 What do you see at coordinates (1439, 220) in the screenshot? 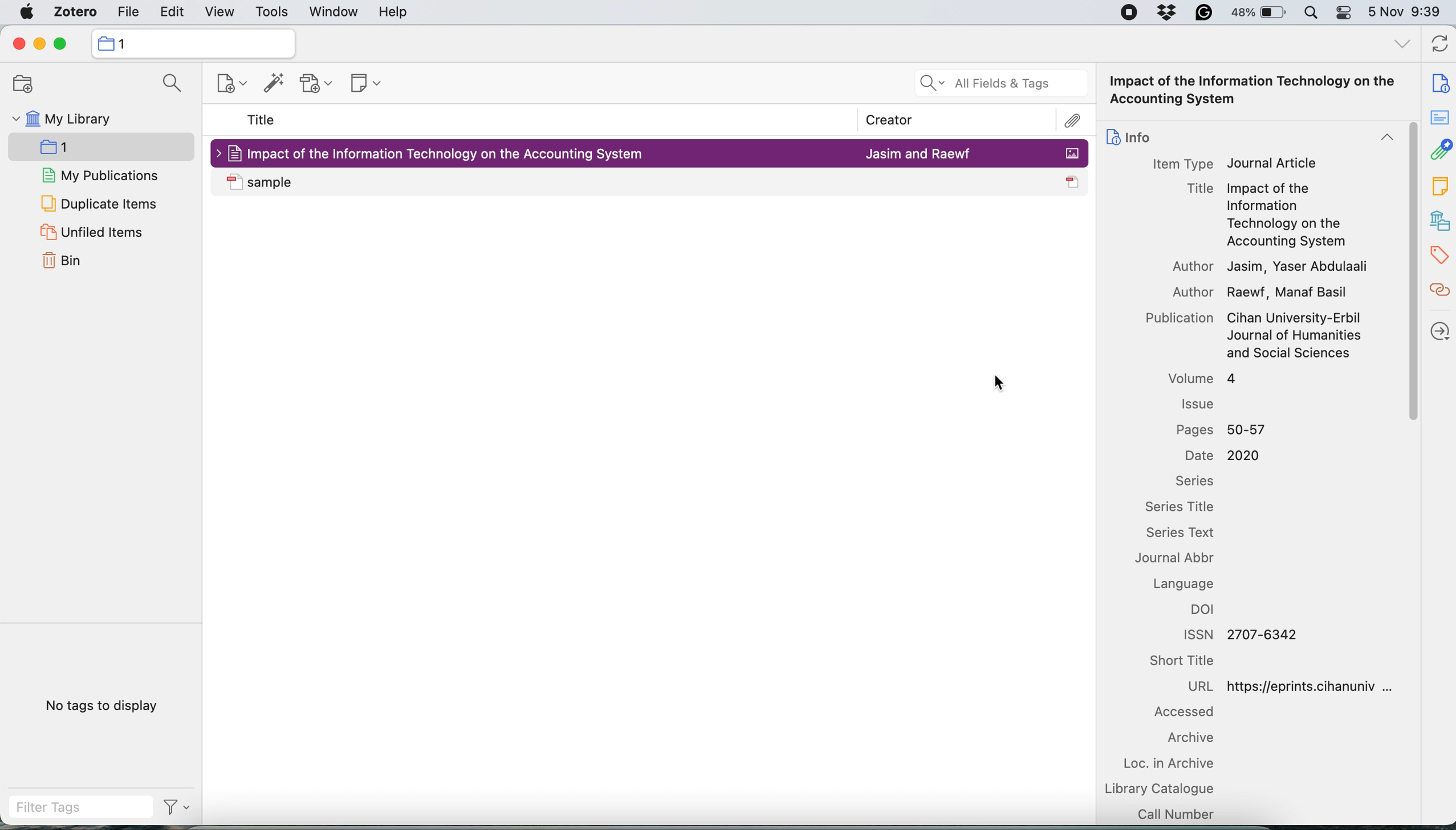
I see `libraries and collections` at bounding box center [1439, 220].